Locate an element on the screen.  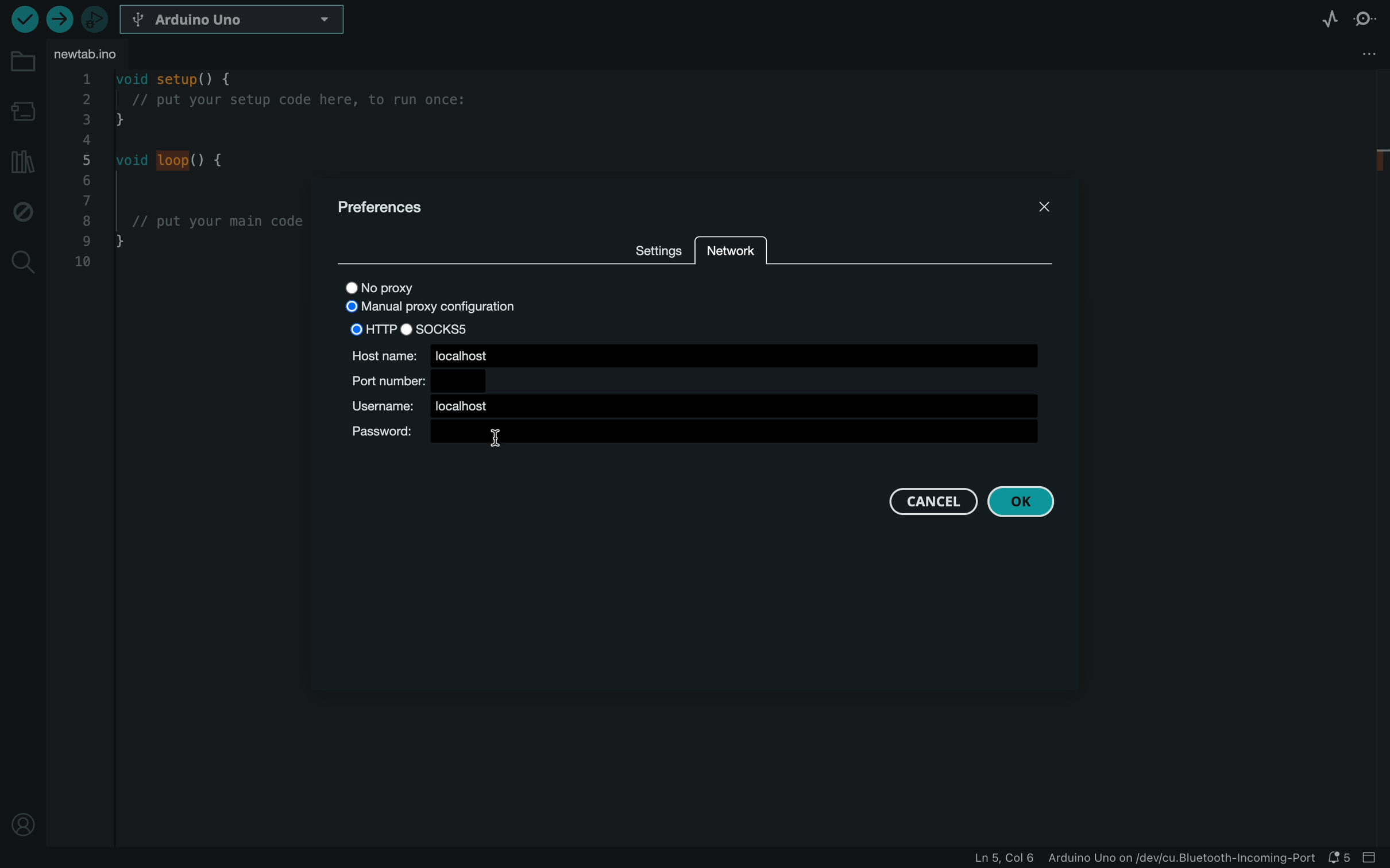
cursor is located at coordinates (501, 440).